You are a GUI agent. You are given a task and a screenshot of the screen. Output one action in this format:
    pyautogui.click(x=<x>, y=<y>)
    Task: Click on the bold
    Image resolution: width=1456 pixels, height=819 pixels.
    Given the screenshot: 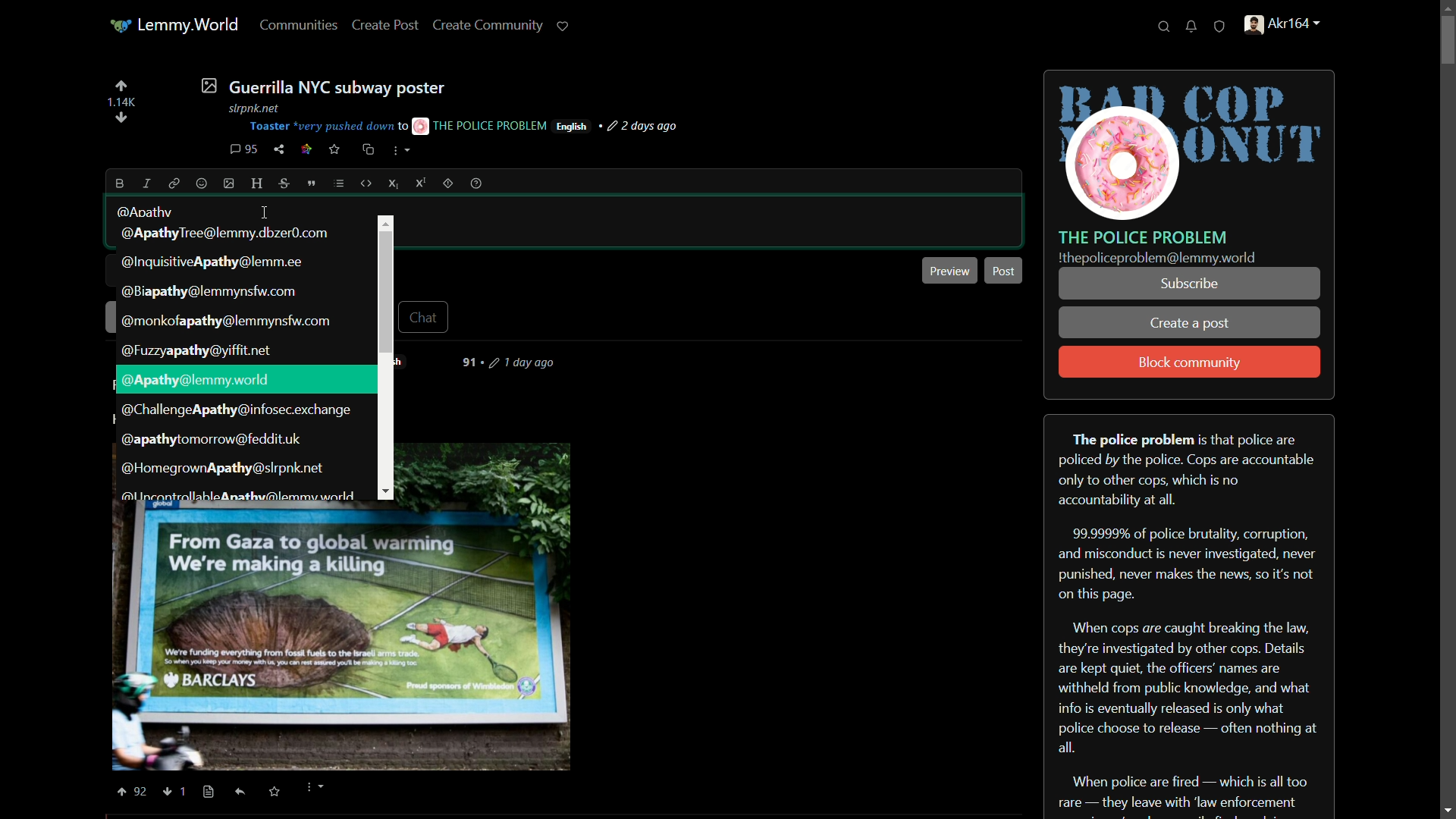 What is the action you would take?
    pyautogui.click(x=121, y=184)
    